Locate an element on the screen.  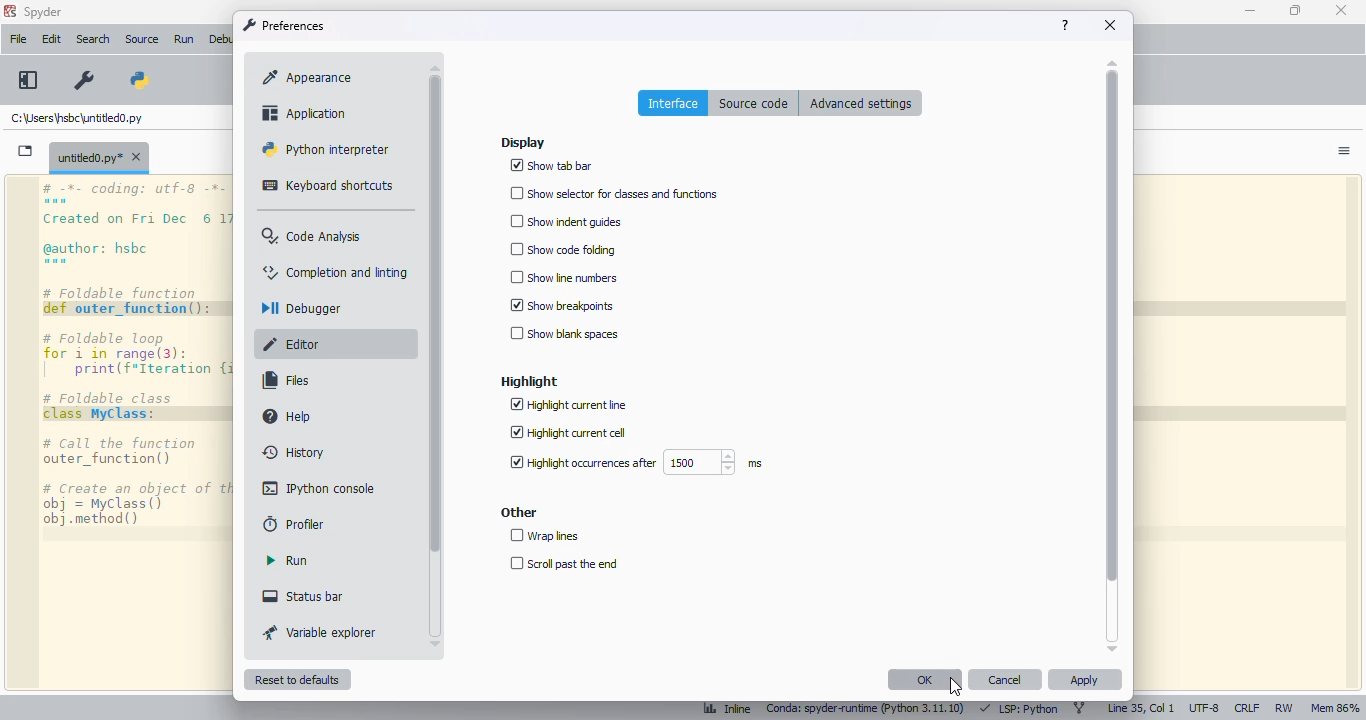
maximize current pane is located at coordinates (27, 79).